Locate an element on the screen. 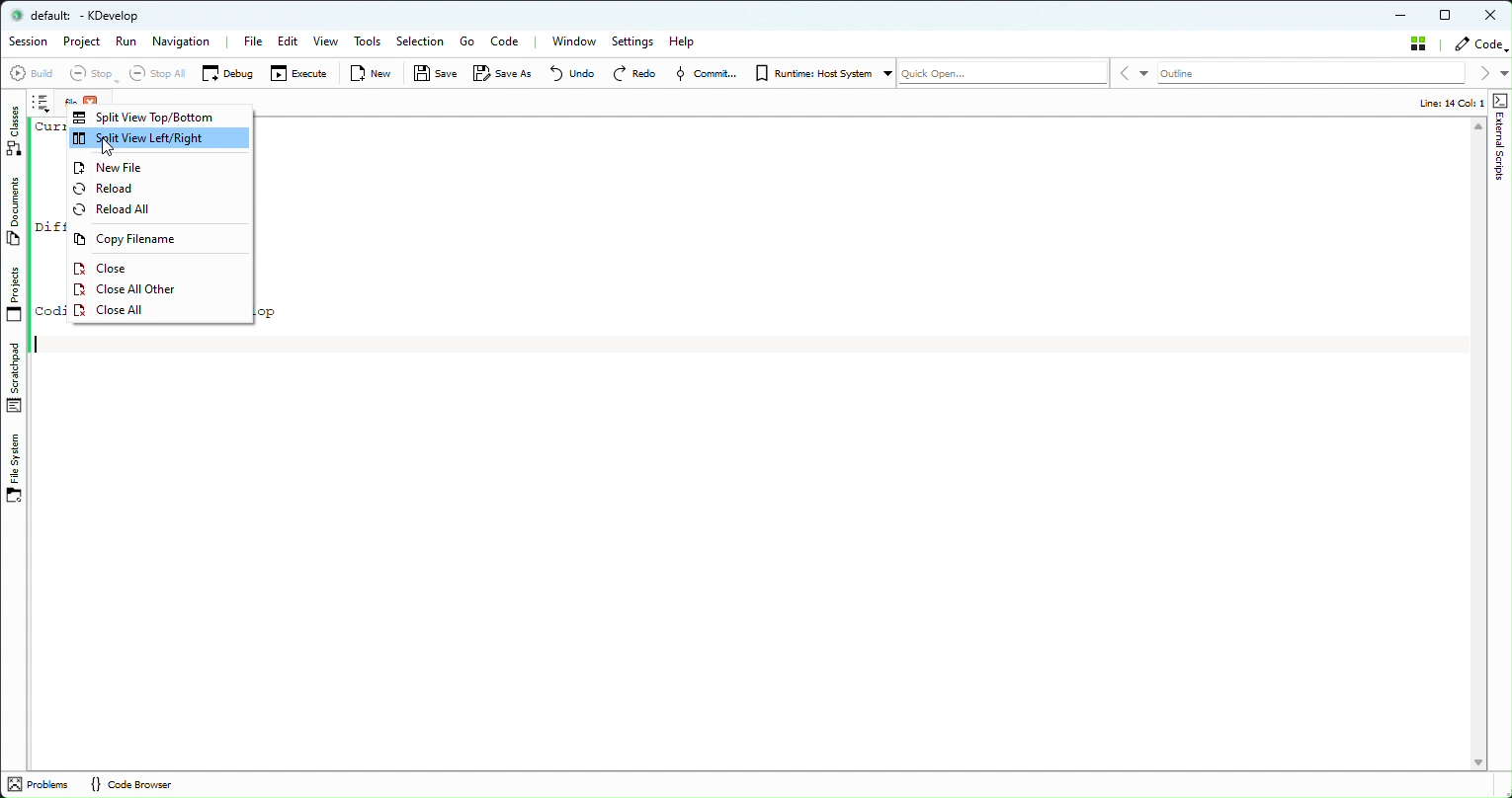  Close all is located at coordinates (161, 312).